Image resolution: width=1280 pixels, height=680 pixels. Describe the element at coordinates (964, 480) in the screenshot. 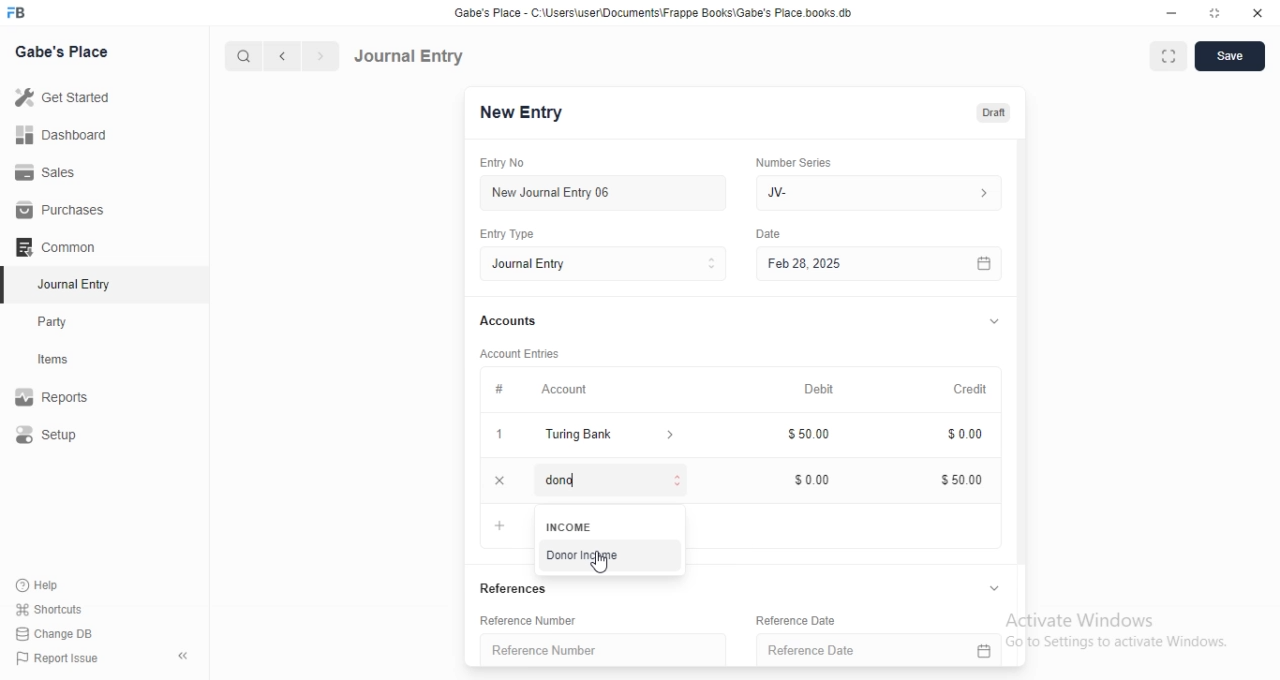

I see `$5000` at that location.